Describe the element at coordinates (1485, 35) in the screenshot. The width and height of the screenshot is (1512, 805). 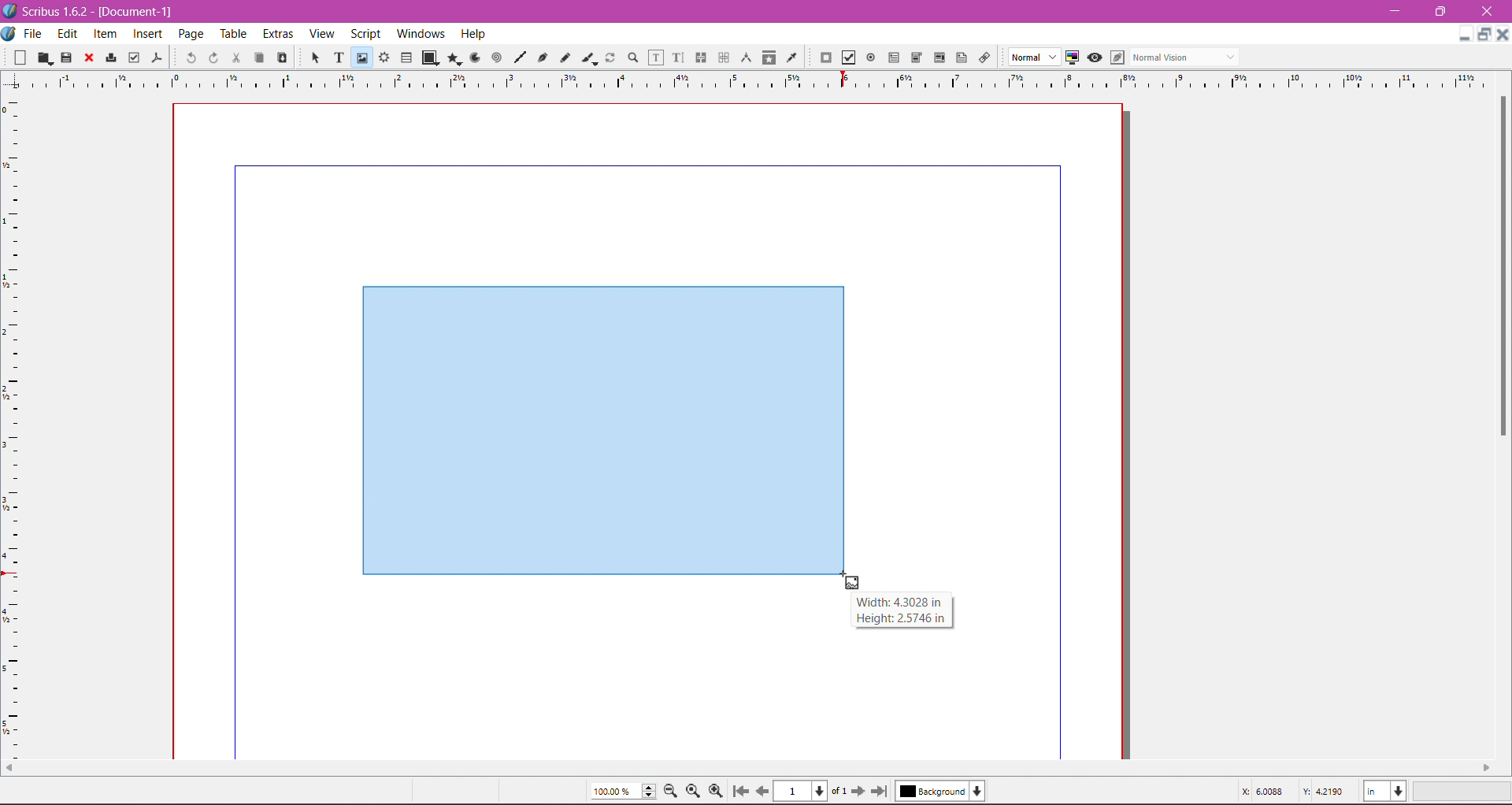
I see `Minimize Document` at that location.